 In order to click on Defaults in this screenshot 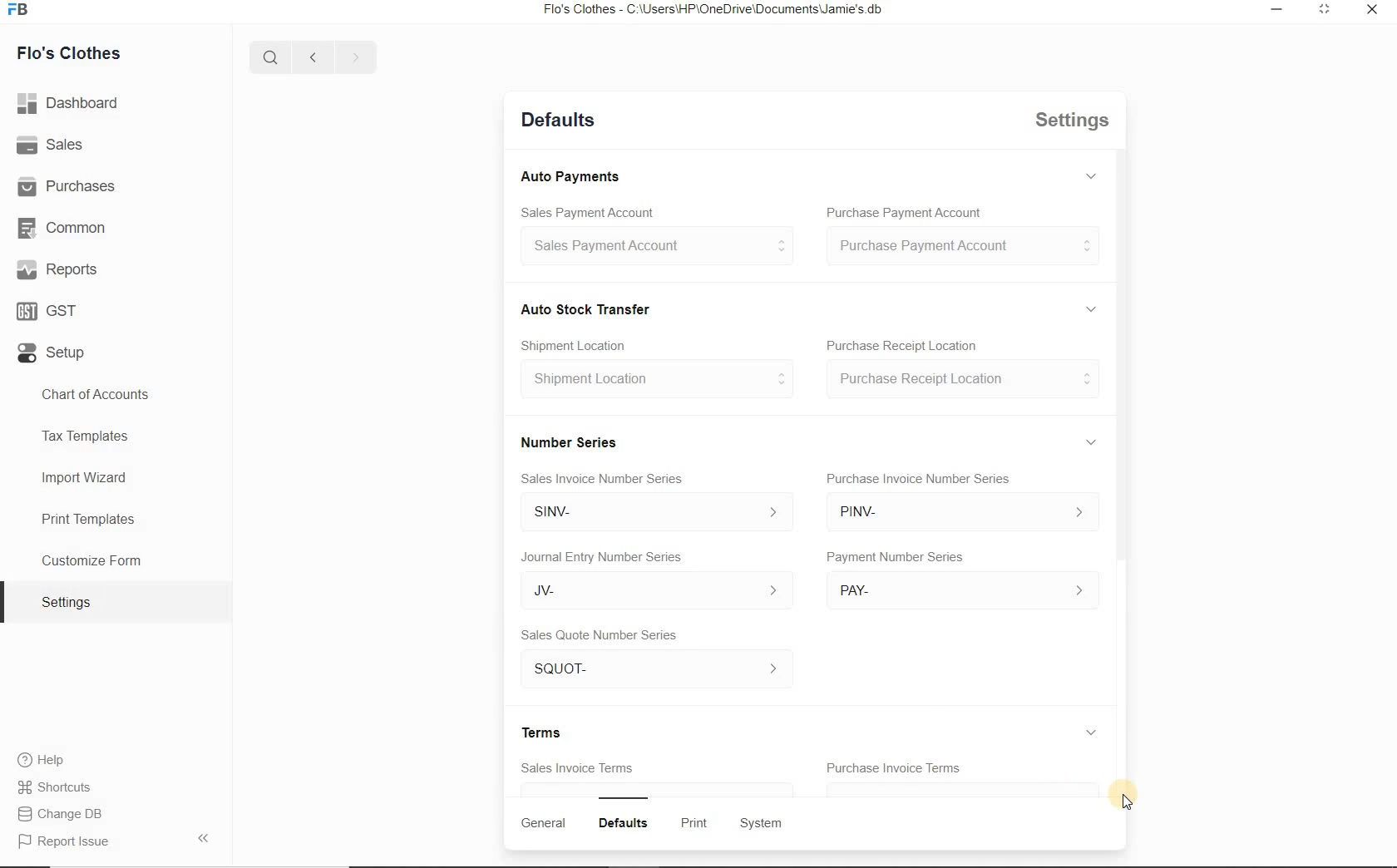, I will do `click(624, 821)`.